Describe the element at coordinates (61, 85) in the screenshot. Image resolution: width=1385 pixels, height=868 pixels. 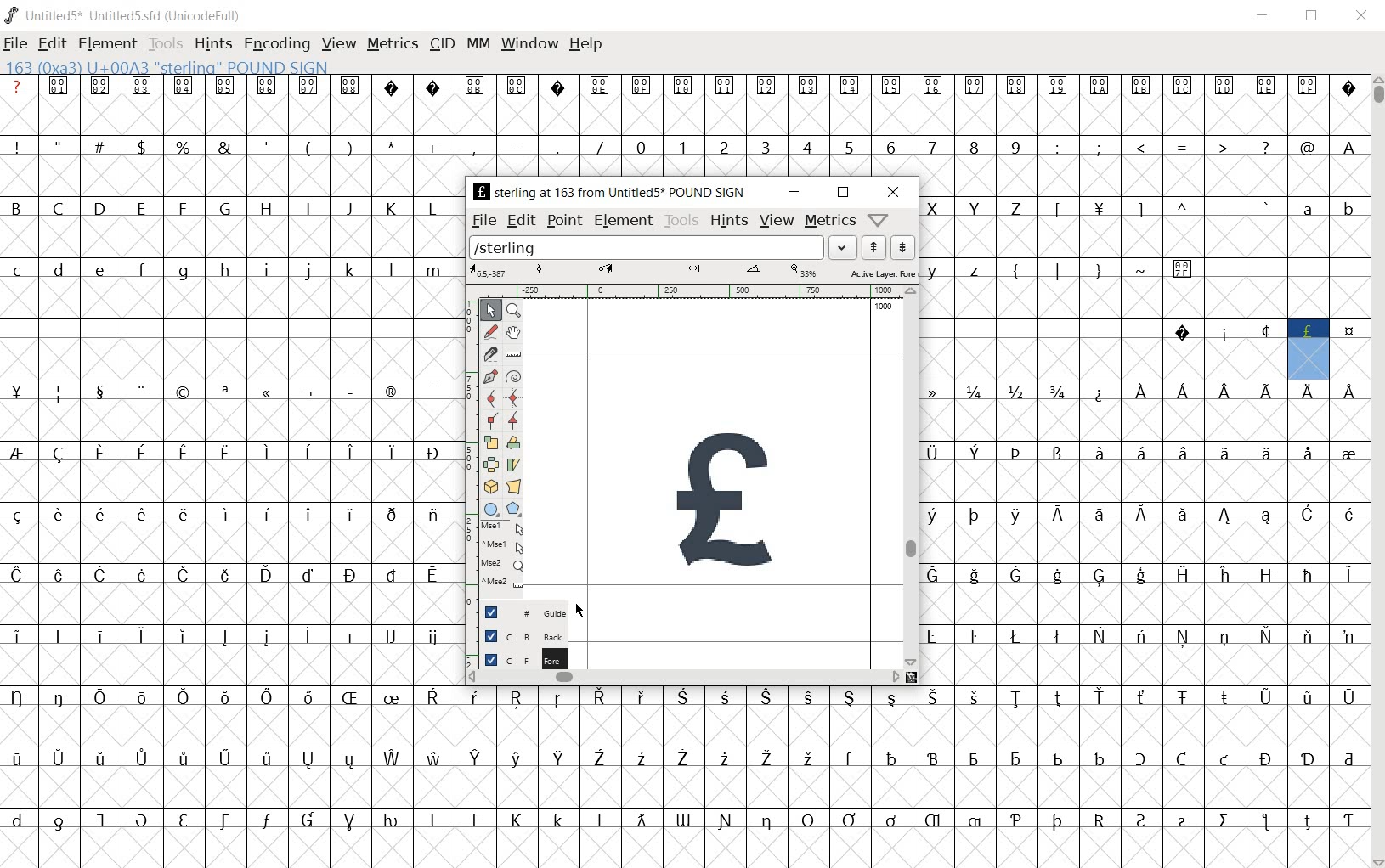
I see `Symbol` at that location.